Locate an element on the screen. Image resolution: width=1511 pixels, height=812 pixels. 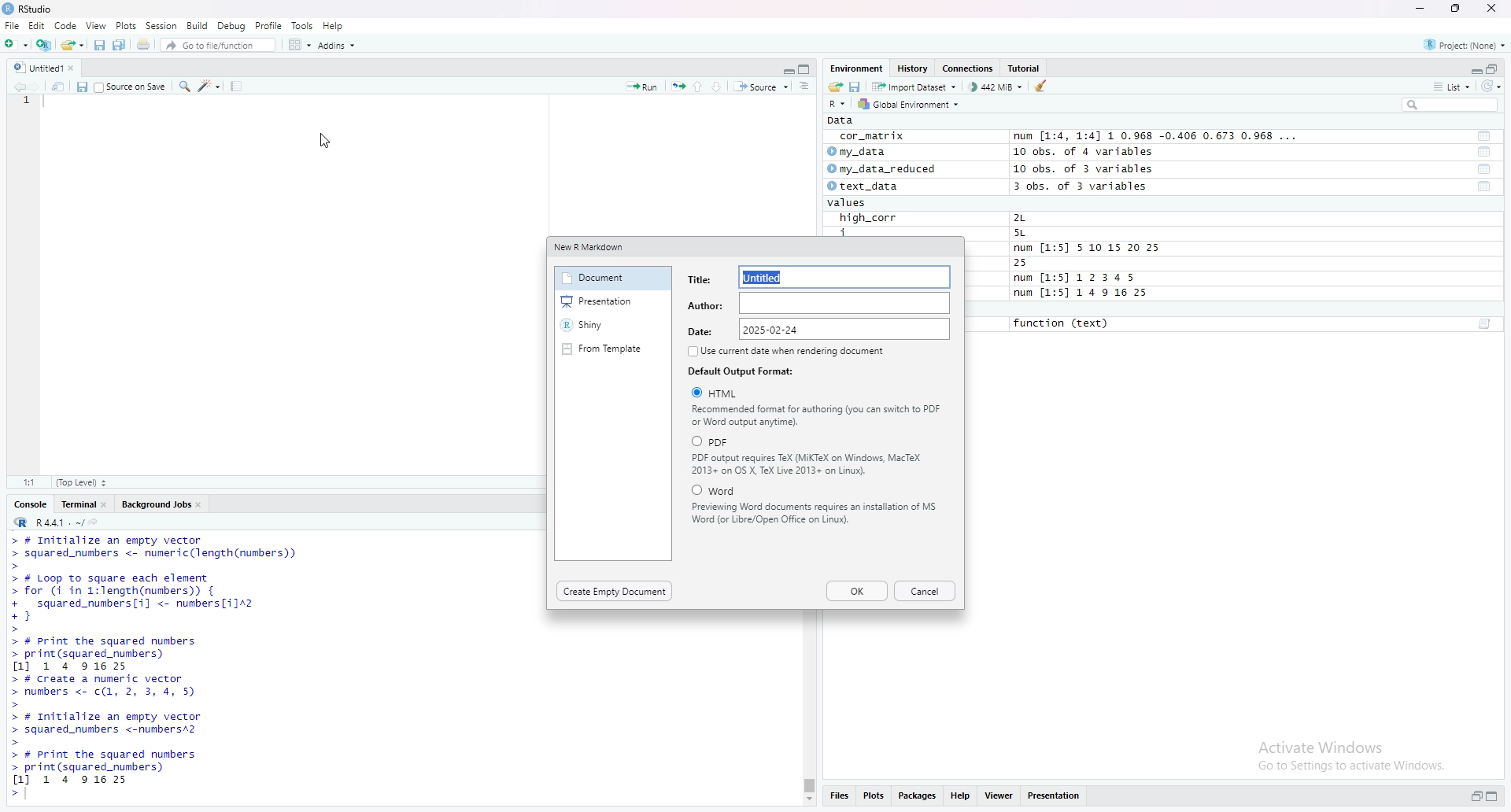
Save is located at coordinates (84, 87).